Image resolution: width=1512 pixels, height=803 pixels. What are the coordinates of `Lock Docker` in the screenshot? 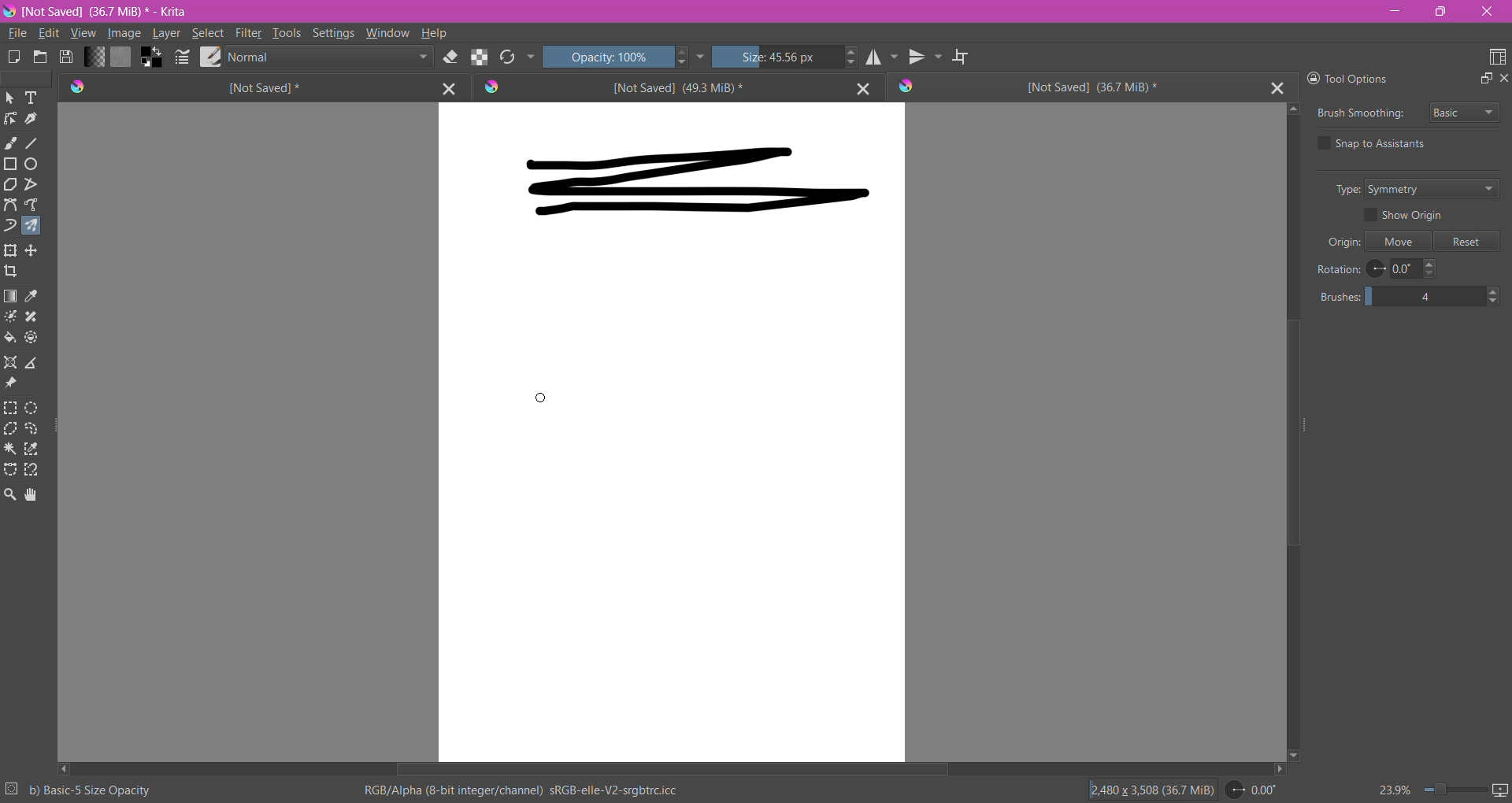 It's located at (1309, 78).